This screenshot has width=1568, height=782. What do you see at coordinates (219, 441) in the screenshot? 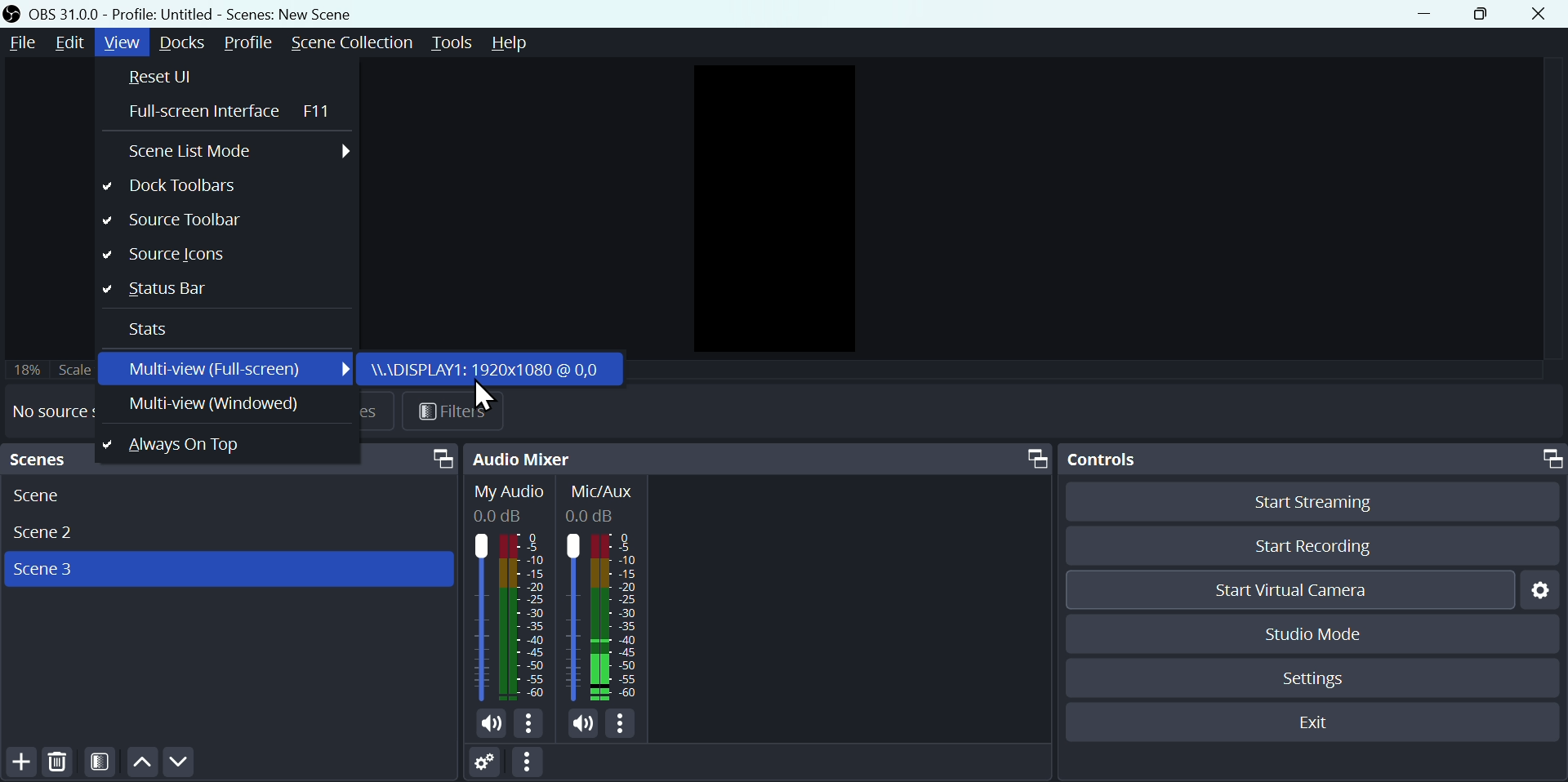
I see `Always on top` at bounding box center [219, 441].